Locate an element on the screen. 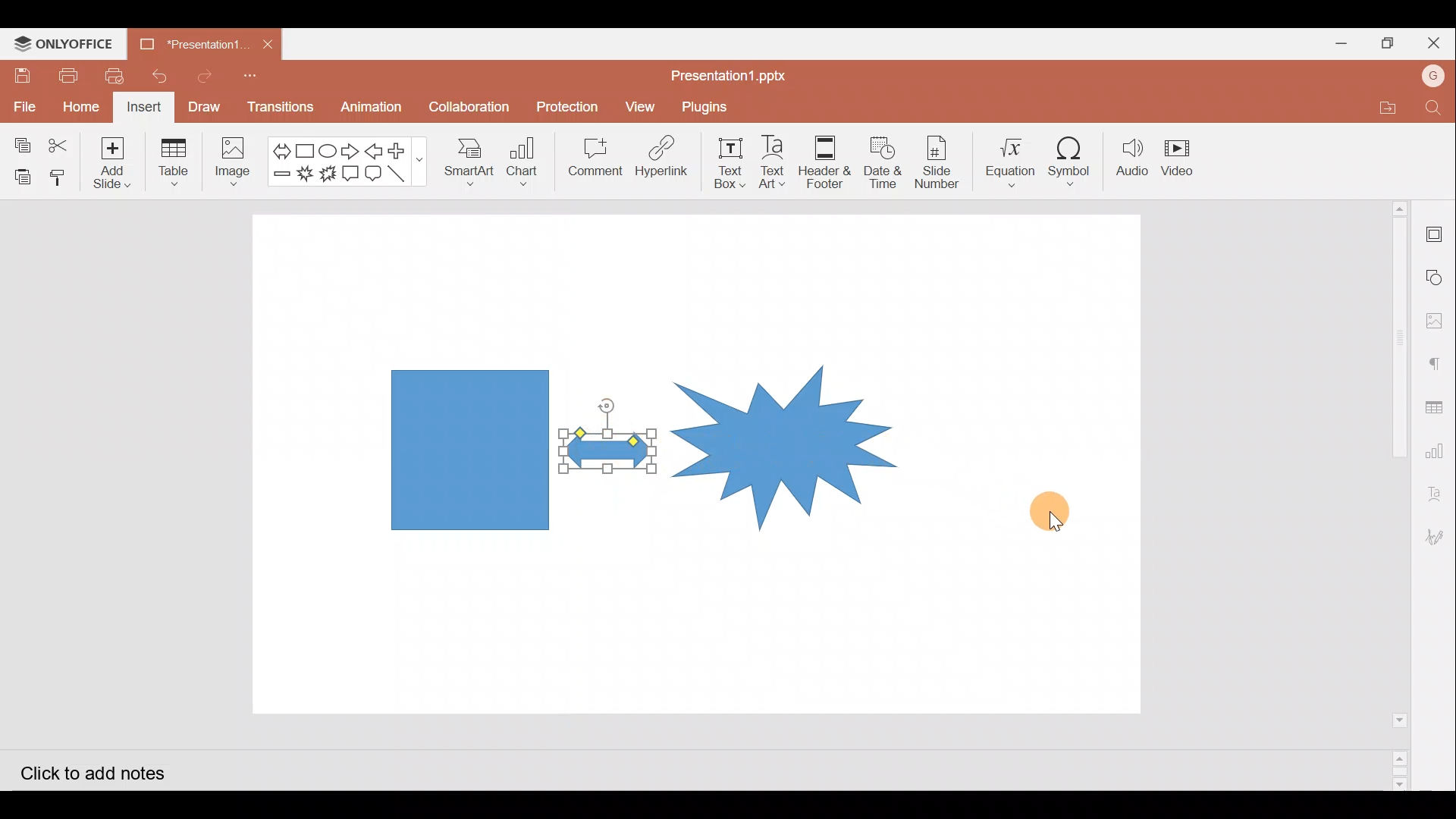 This screenshot has height=819, width=1456. Close document is located at coordinates (272, 46).